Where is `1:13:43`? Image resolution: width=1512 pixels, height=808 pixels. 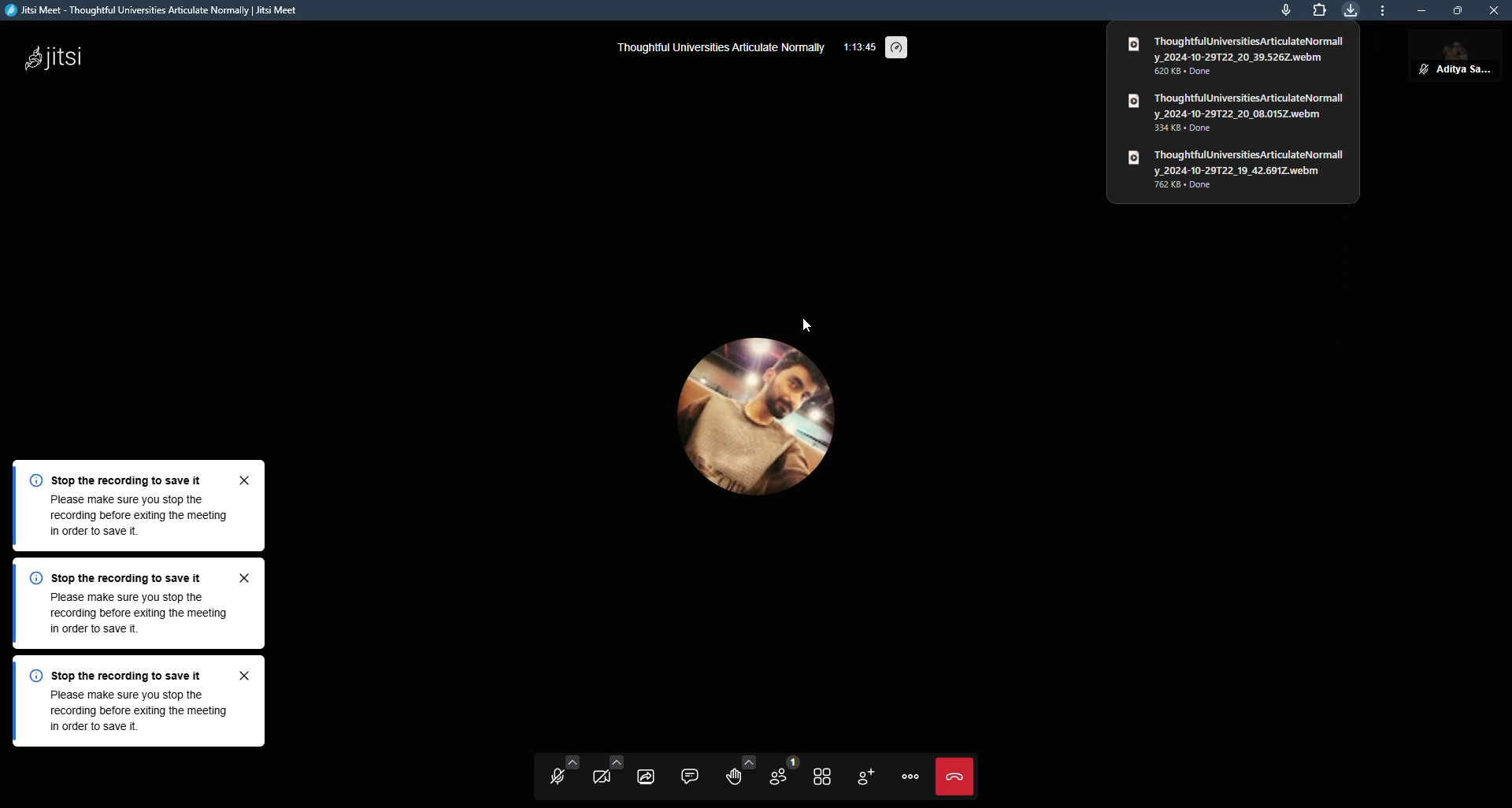 1:13:43 is located at coordinates (857, 50).